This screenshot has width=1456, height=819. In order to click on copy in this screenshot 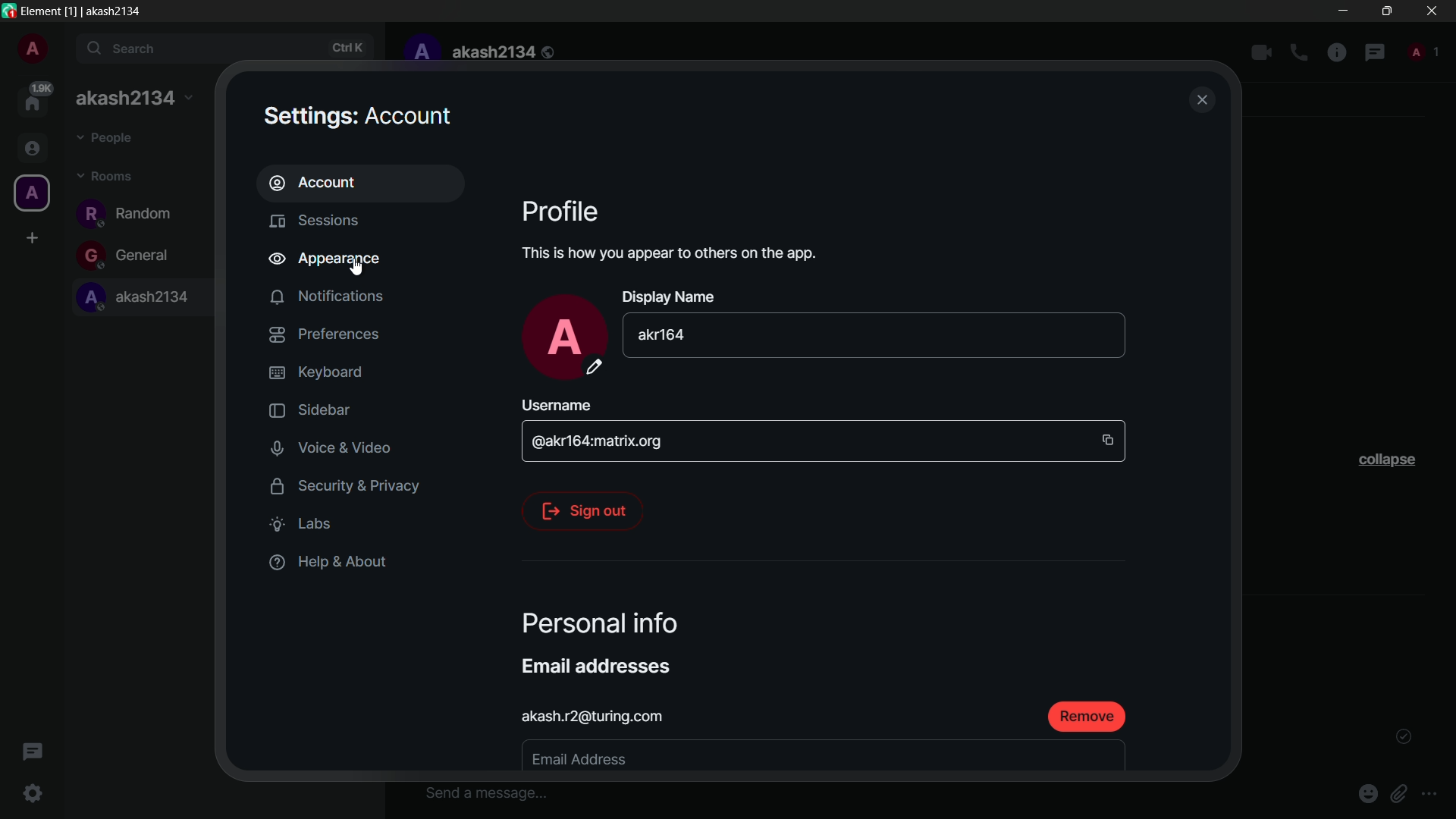, I will do `click(1107, 439)`.